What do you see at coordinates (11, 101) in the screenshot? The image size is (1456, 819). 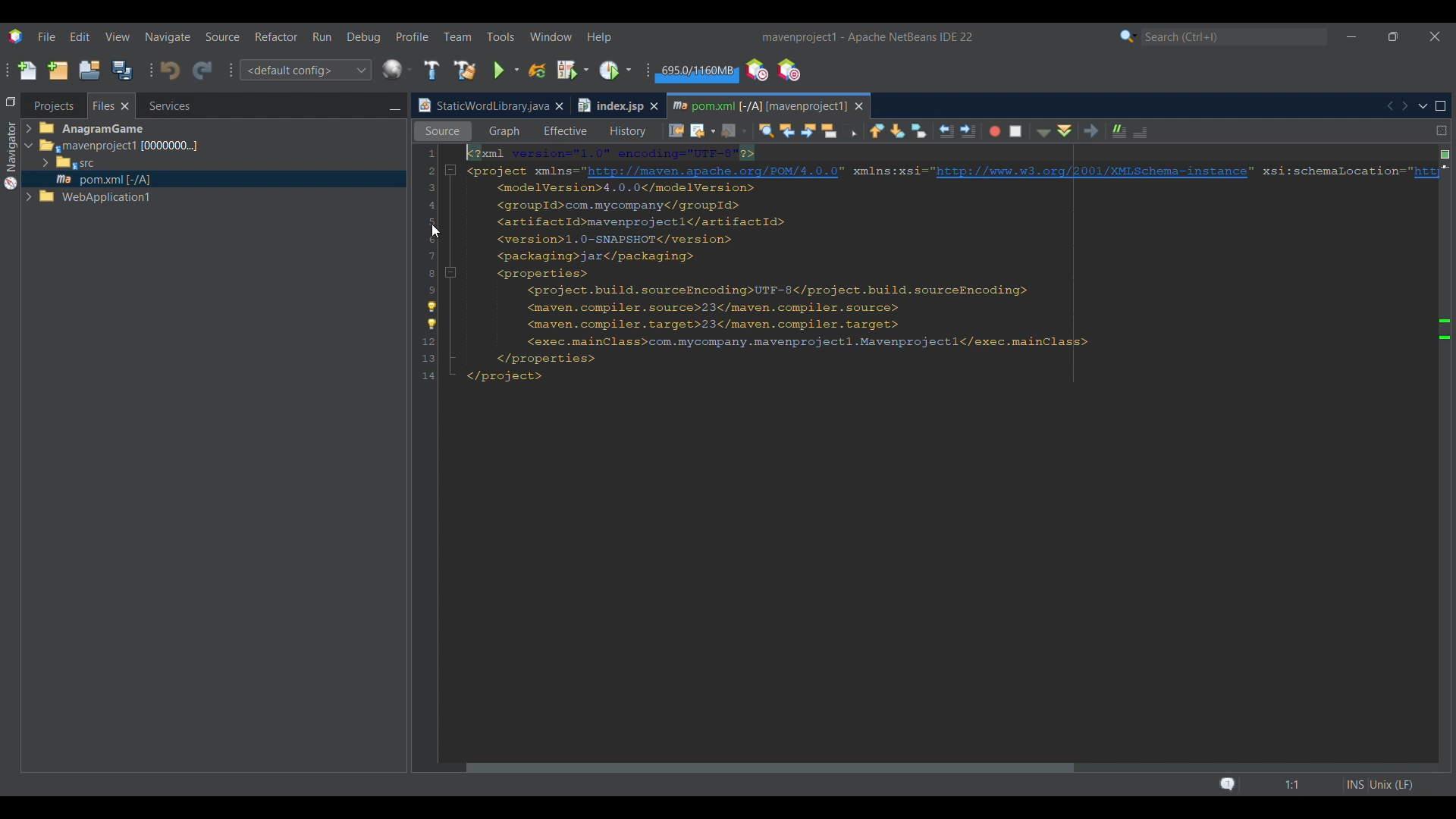 I see `Restore window group` at bounding box center [11, 101].